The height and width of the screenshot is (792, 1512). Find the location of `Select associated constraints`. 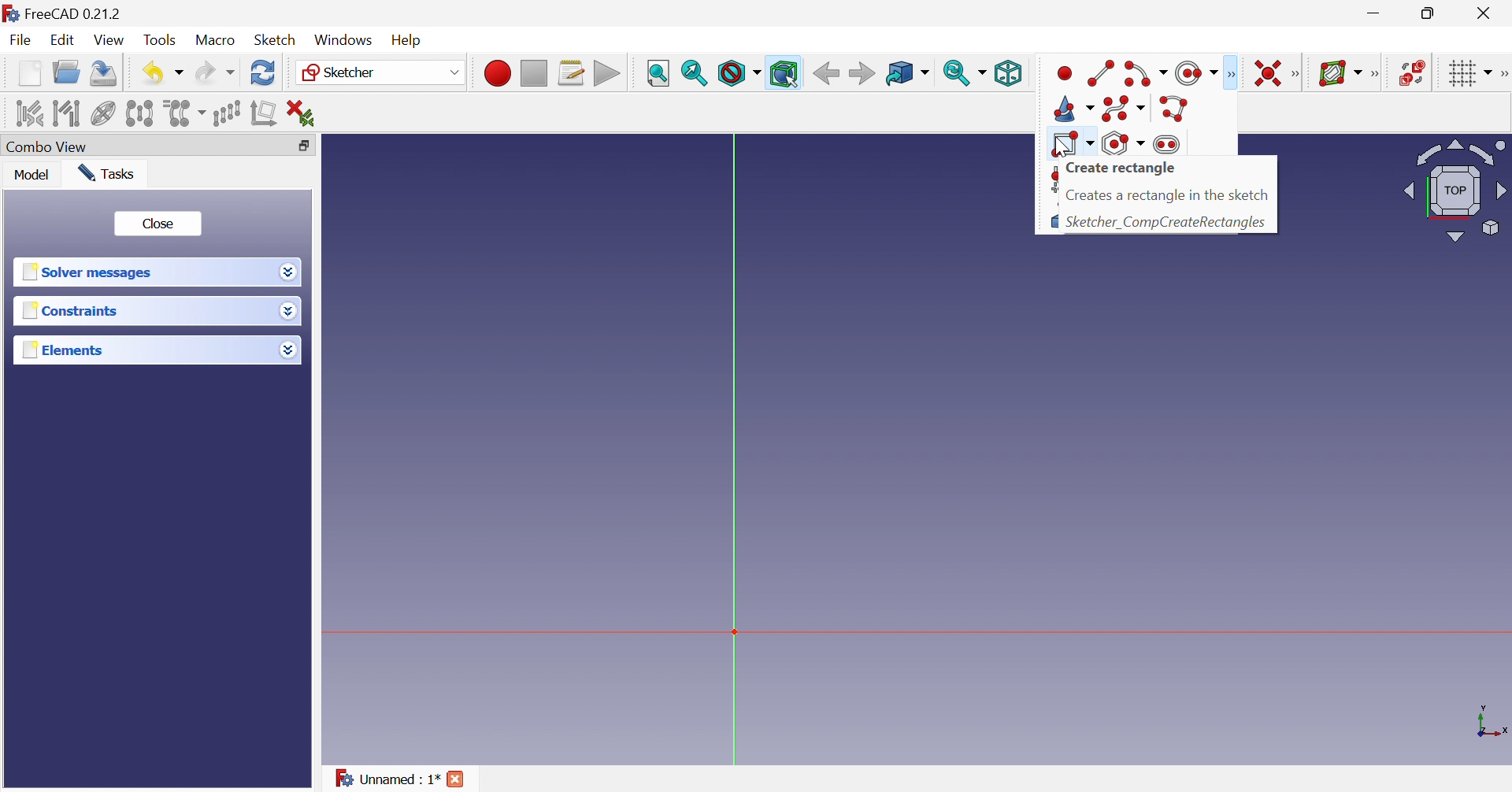

Select associated constraints is located at coordinates (30, 113).